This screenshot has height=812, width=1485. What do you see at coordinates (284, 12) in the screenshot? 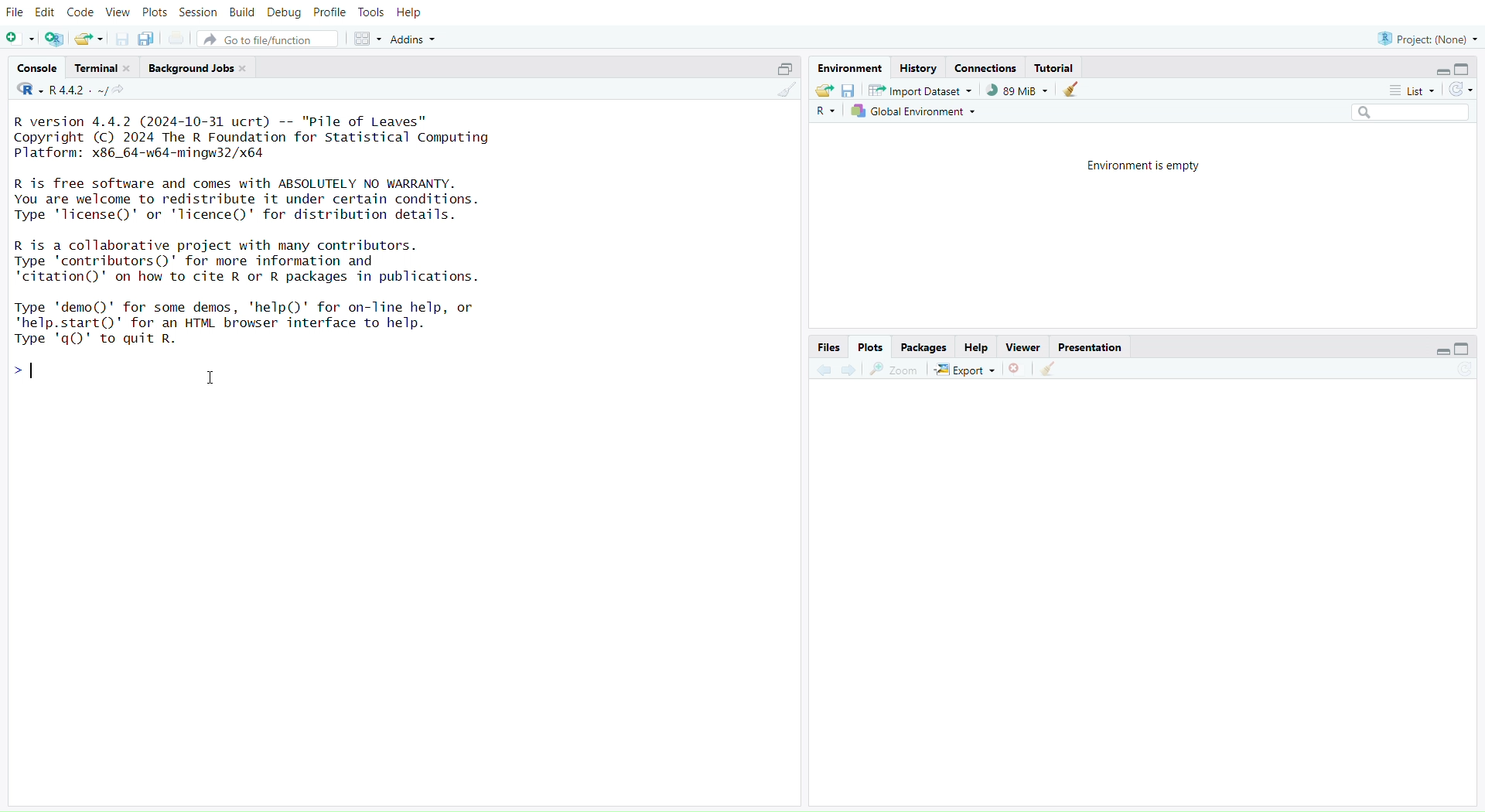
I see `Debug` at bounding box center [284, 12].